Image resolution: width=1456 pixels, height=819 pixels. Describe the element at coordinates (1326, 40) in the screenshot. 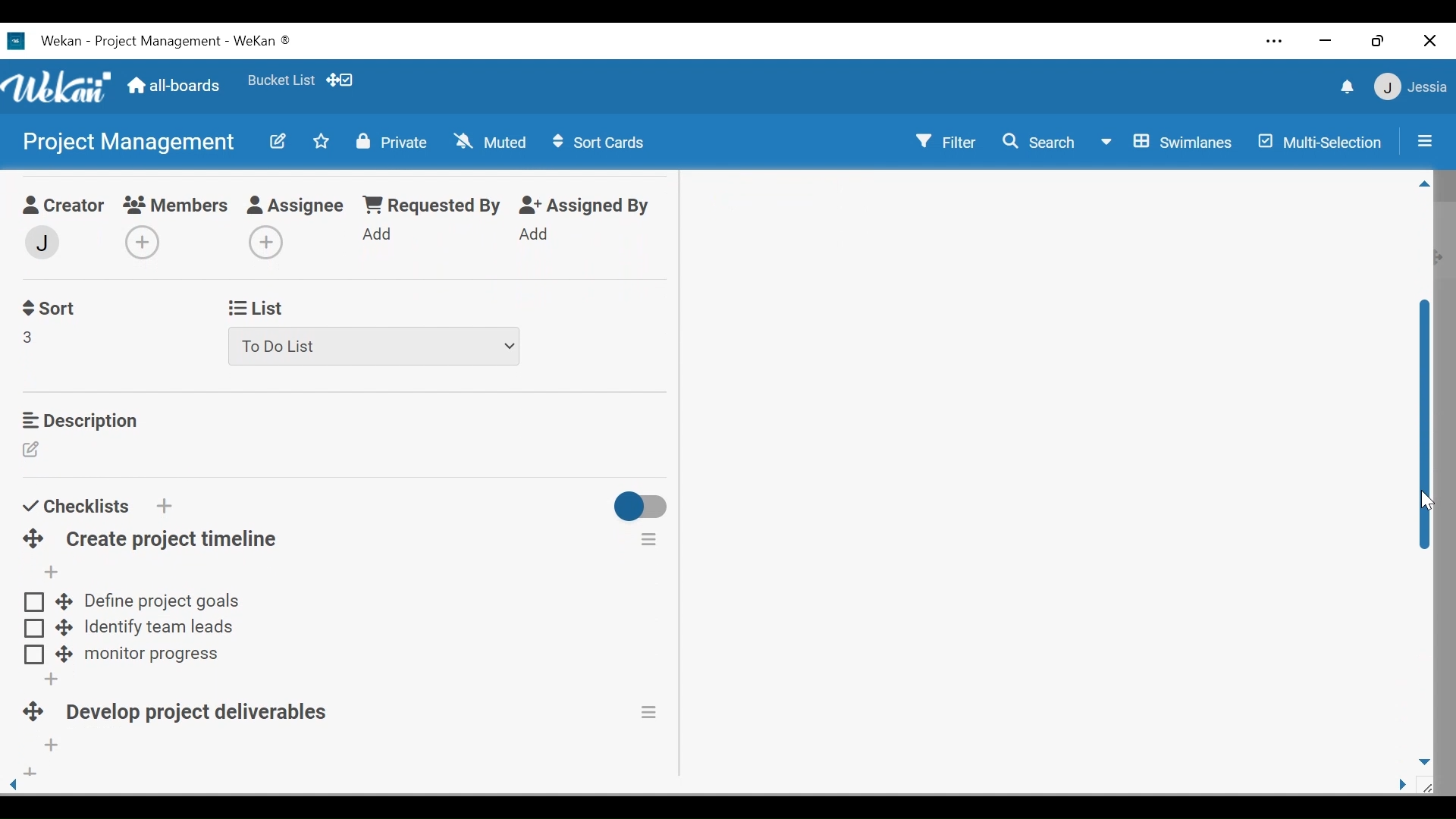

I see `minimize` at that location.